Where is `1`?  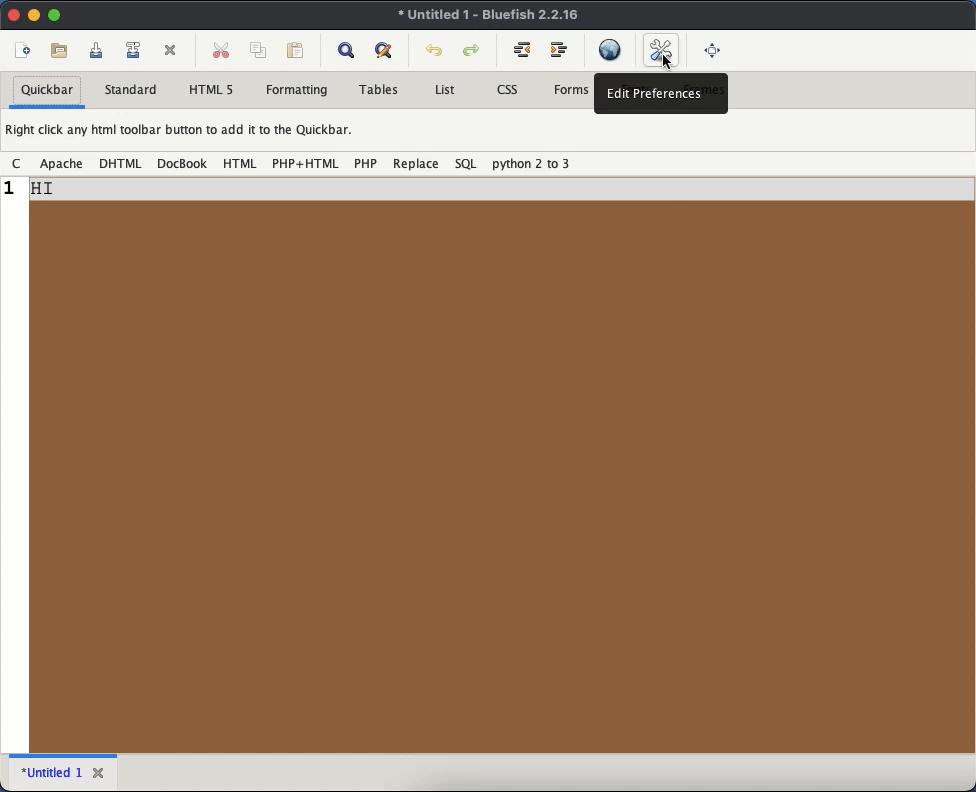 1 is located at coordinates (12, 190).